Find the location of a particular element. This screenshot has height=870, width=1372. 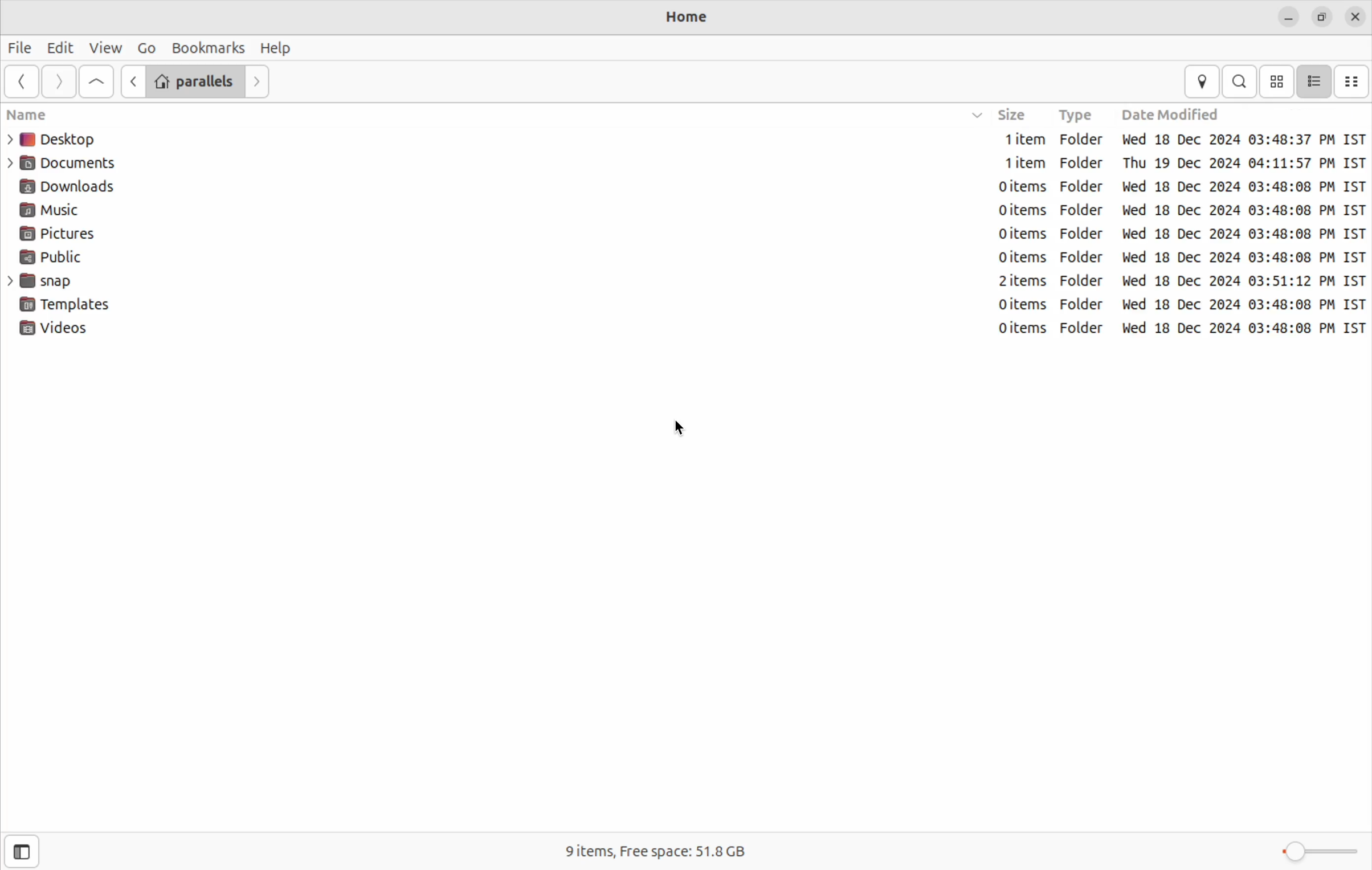

Bookmarks is located at coordinates (209, 46).